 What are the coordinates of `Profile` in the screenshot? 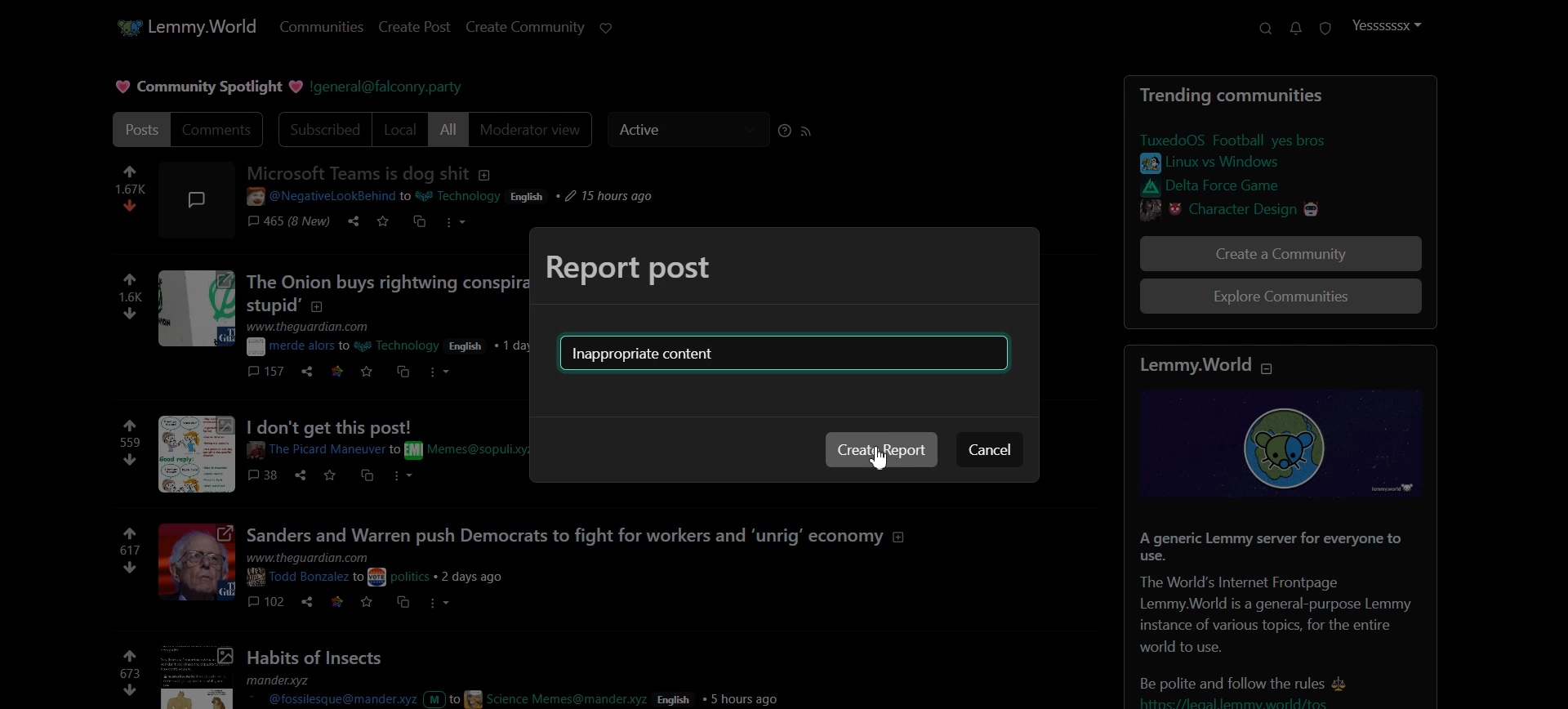 It's located at (1387, 25).